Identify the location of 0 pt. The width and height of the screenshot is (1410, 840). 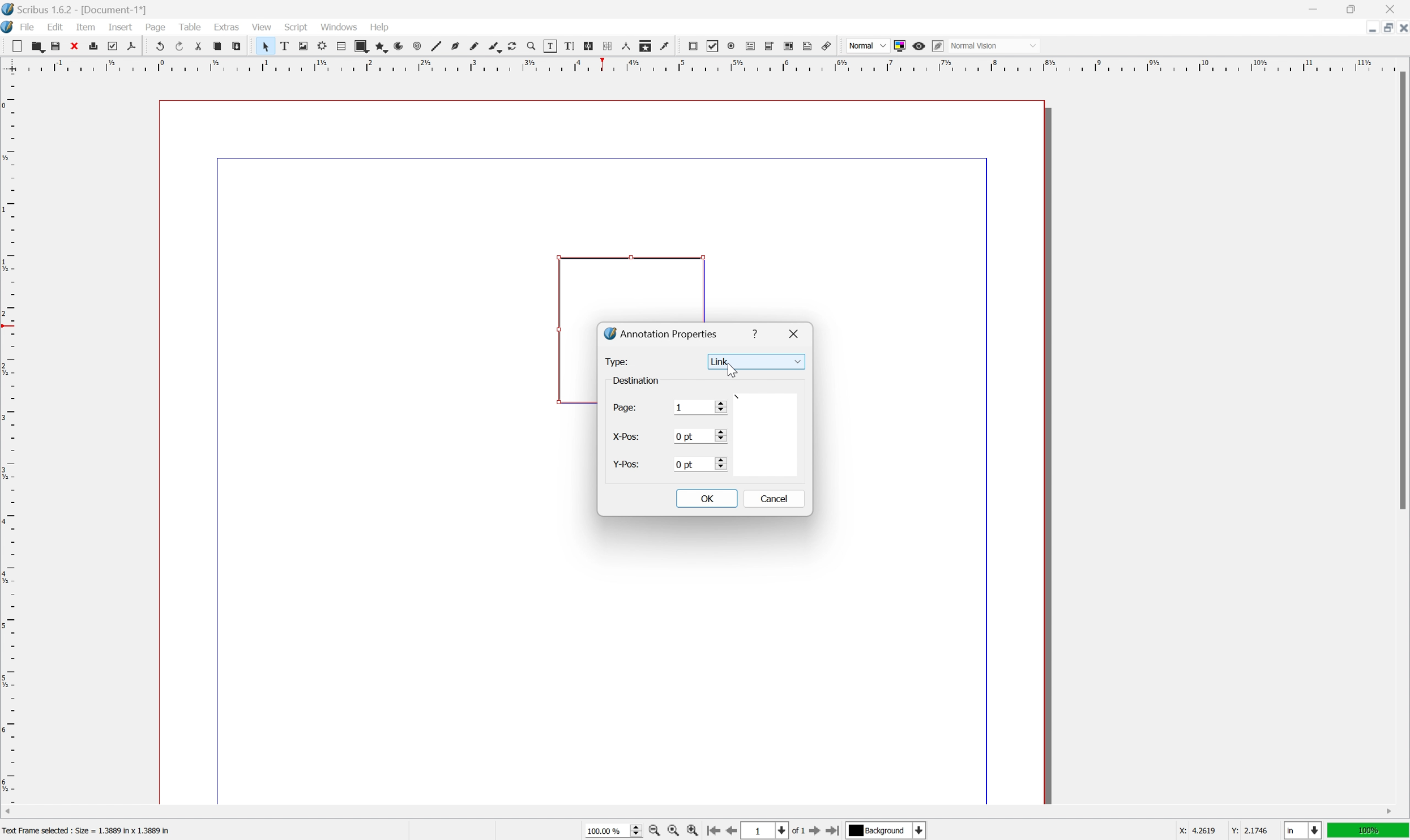
(700, 406).